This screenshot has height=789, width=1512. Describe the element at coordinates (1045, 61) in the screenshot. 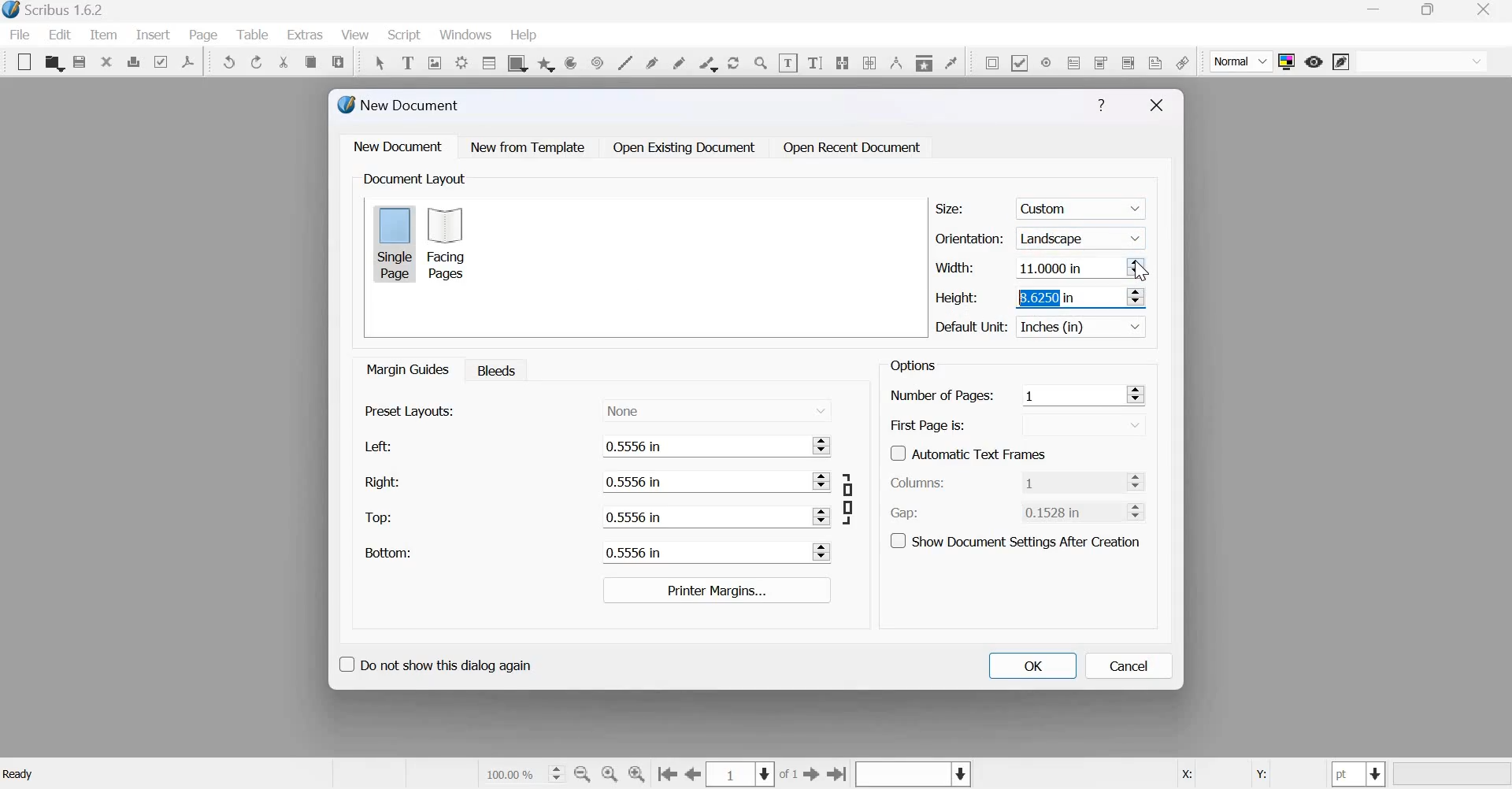

I see `PDF radio button` at that location.